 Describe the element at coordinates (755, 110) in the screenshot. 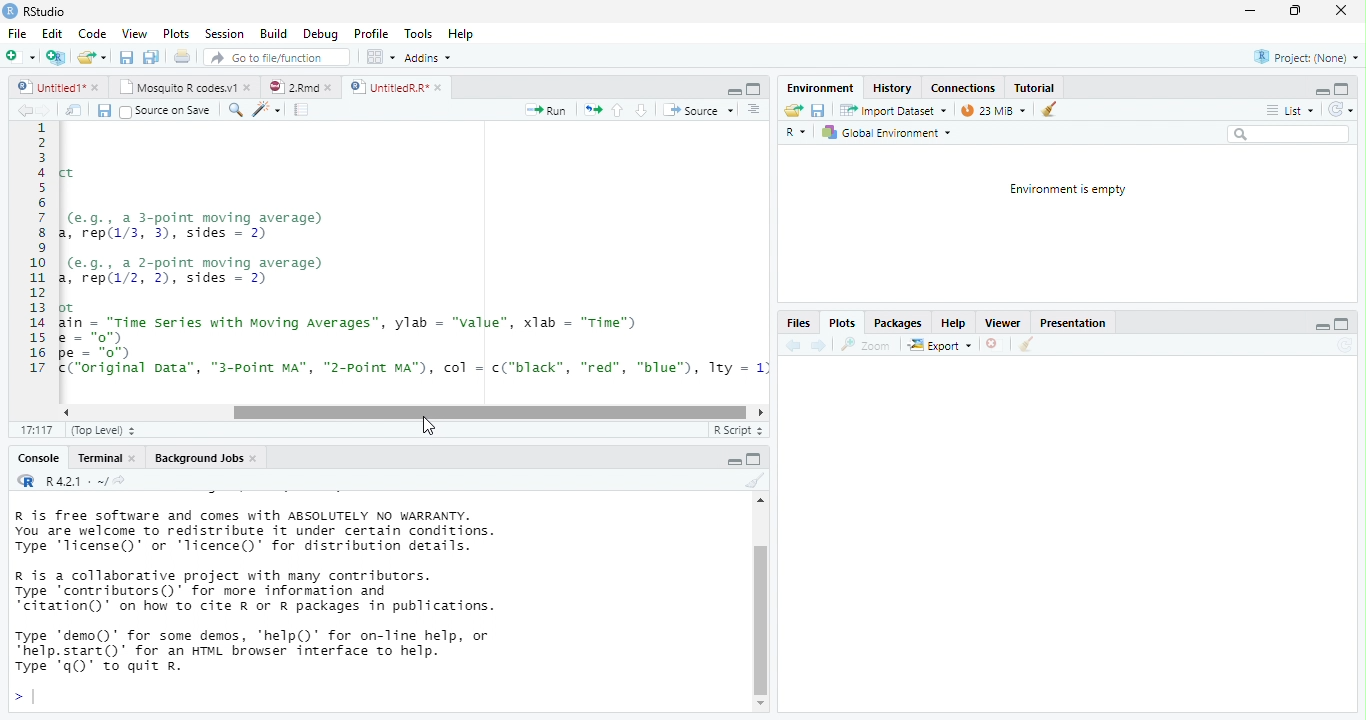

I see `Document outline` at that location.